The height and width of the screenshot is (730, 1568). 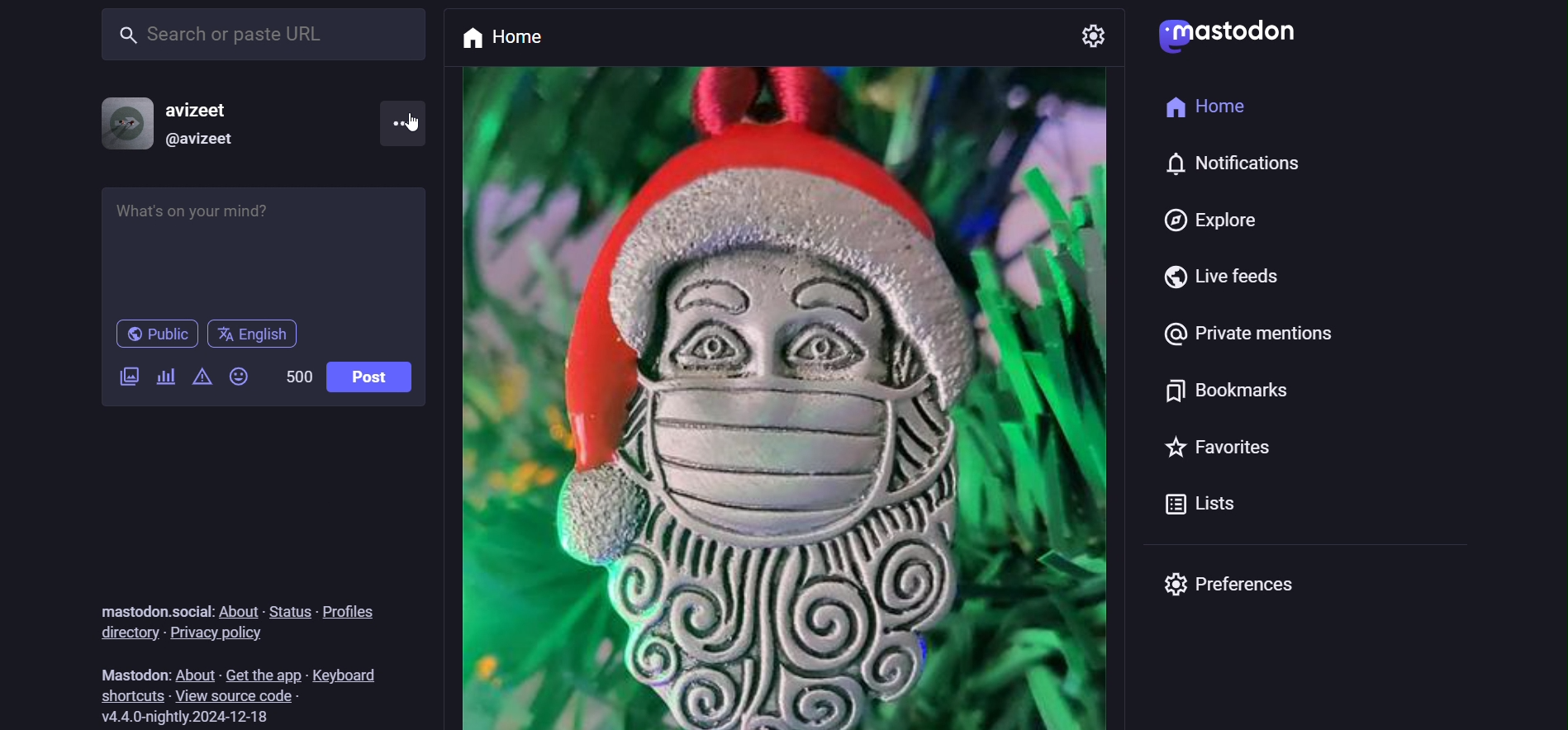 What do you see at coordinates (244, 377) in the screenshot?
I see `emojis` at bounding box center [244, 377].